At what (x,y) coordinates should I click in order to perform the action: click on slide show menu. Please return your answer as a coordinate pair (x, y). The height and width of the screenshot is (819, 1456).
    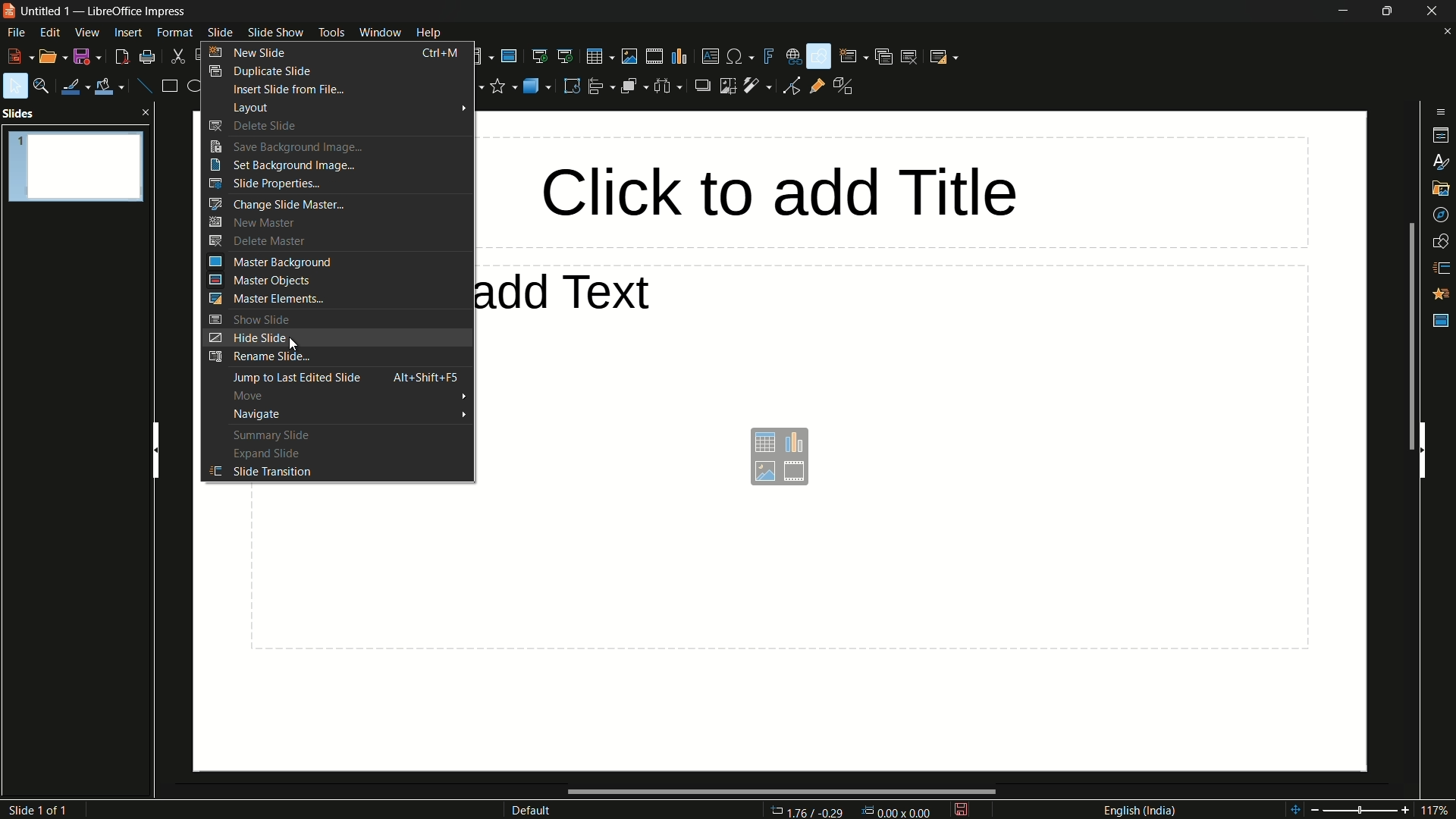
    Looking at the image, I should click on (275, 33).